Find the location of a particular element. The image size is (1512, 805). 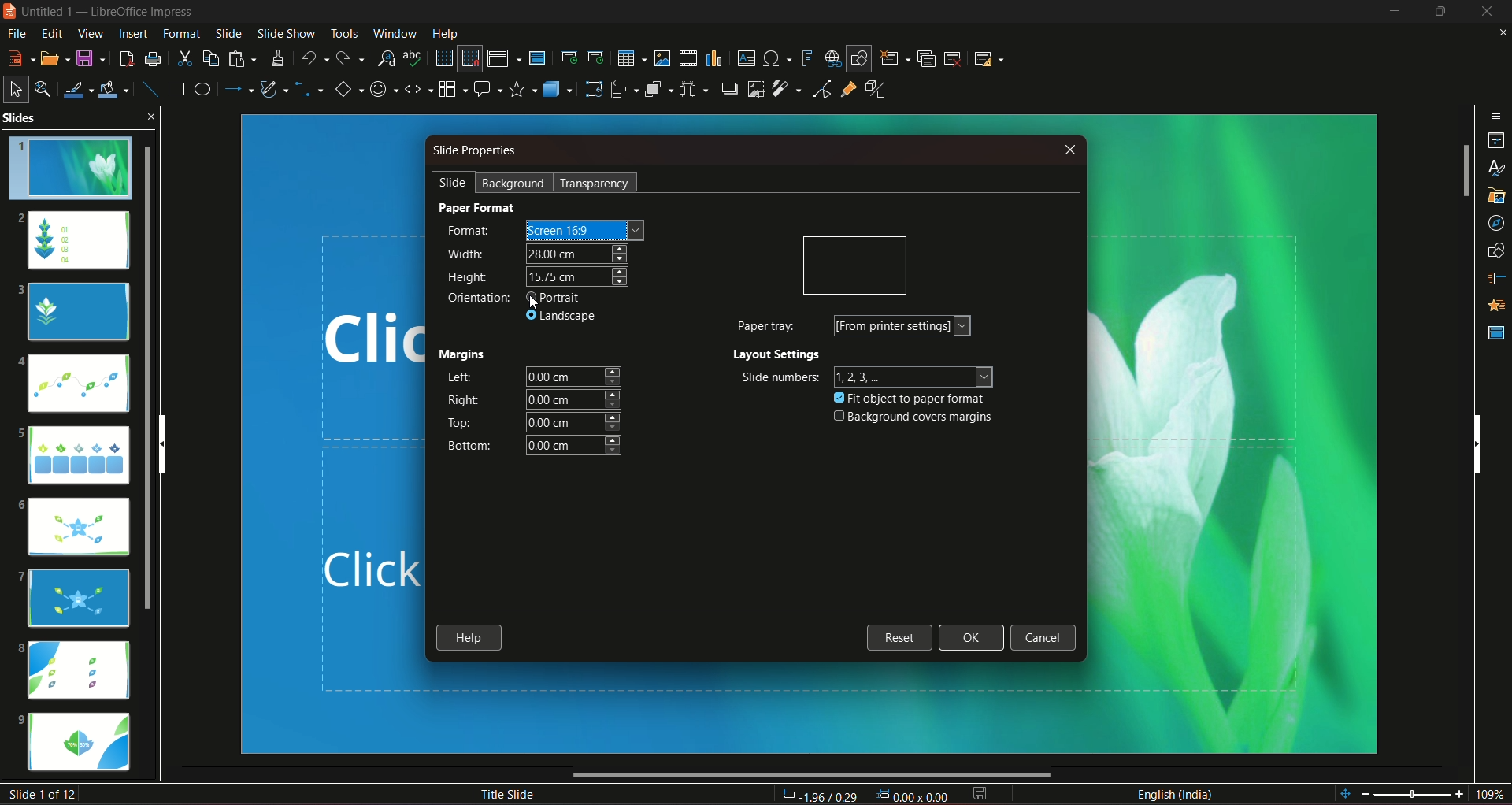

snap to grid is located at coordinates (470, 60).